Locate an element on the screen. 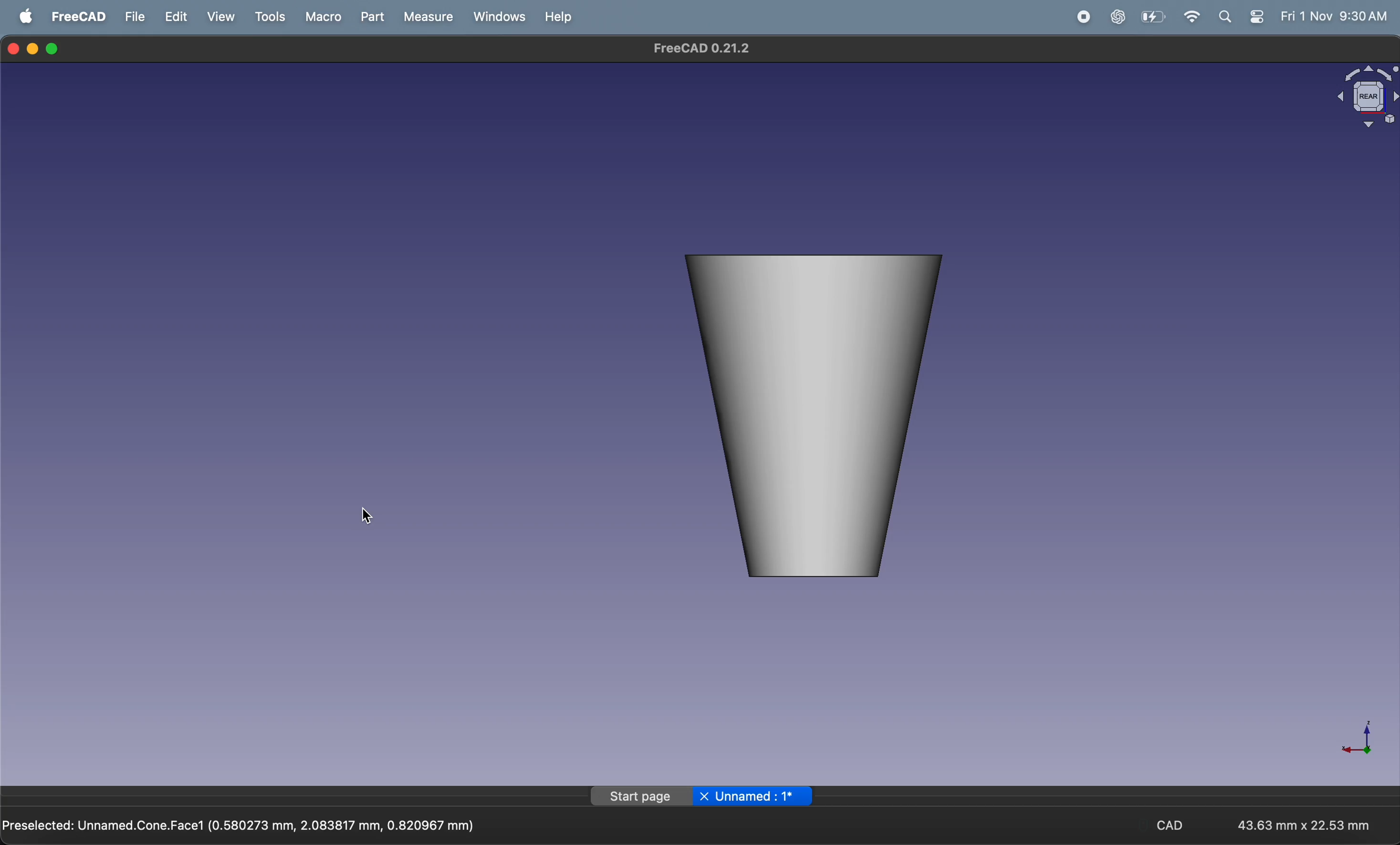 This screenshot has height=845, width=1400. chatgpt is located at coordinates (1116, 16).